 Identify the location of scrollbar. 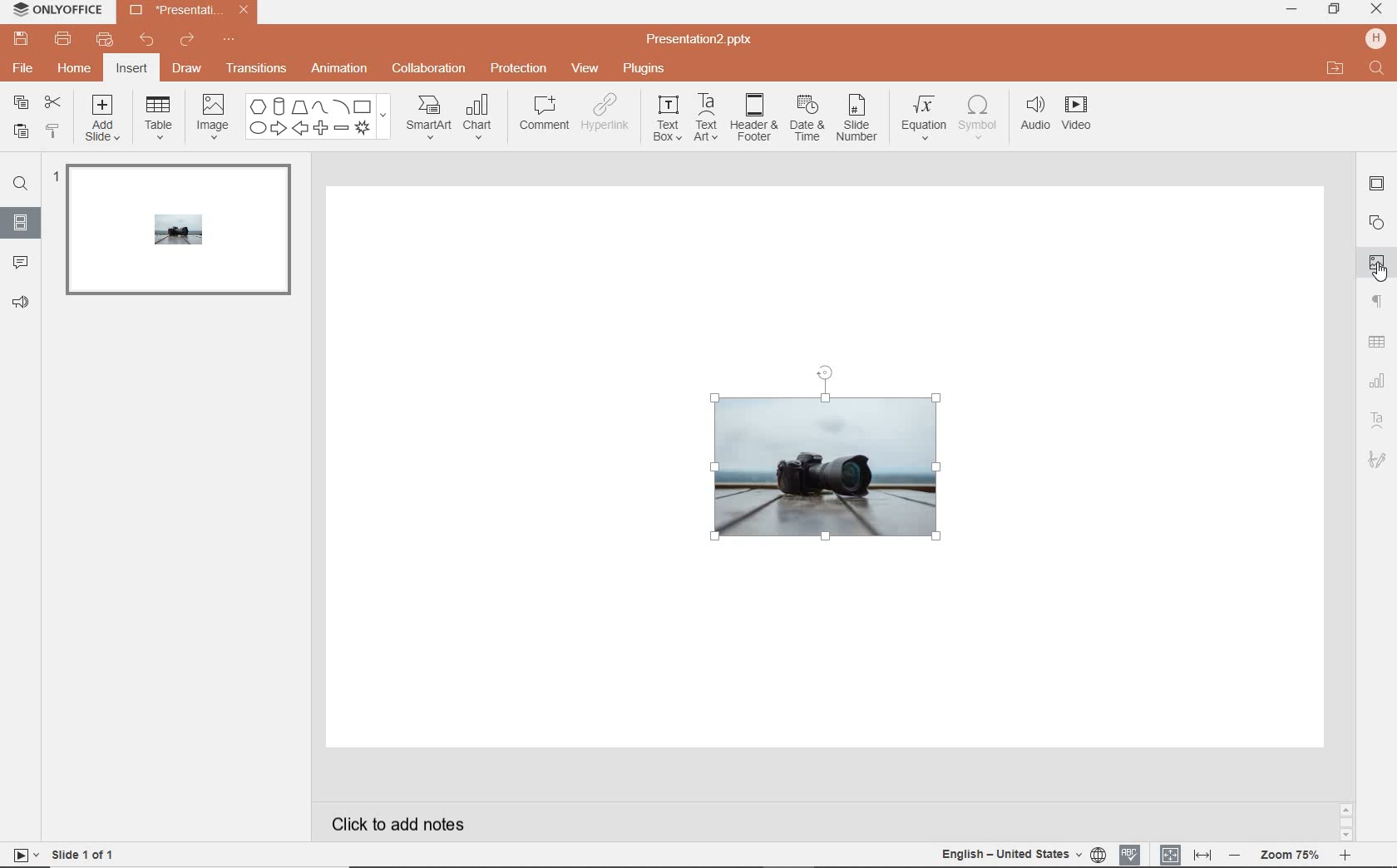
(1346, 821).